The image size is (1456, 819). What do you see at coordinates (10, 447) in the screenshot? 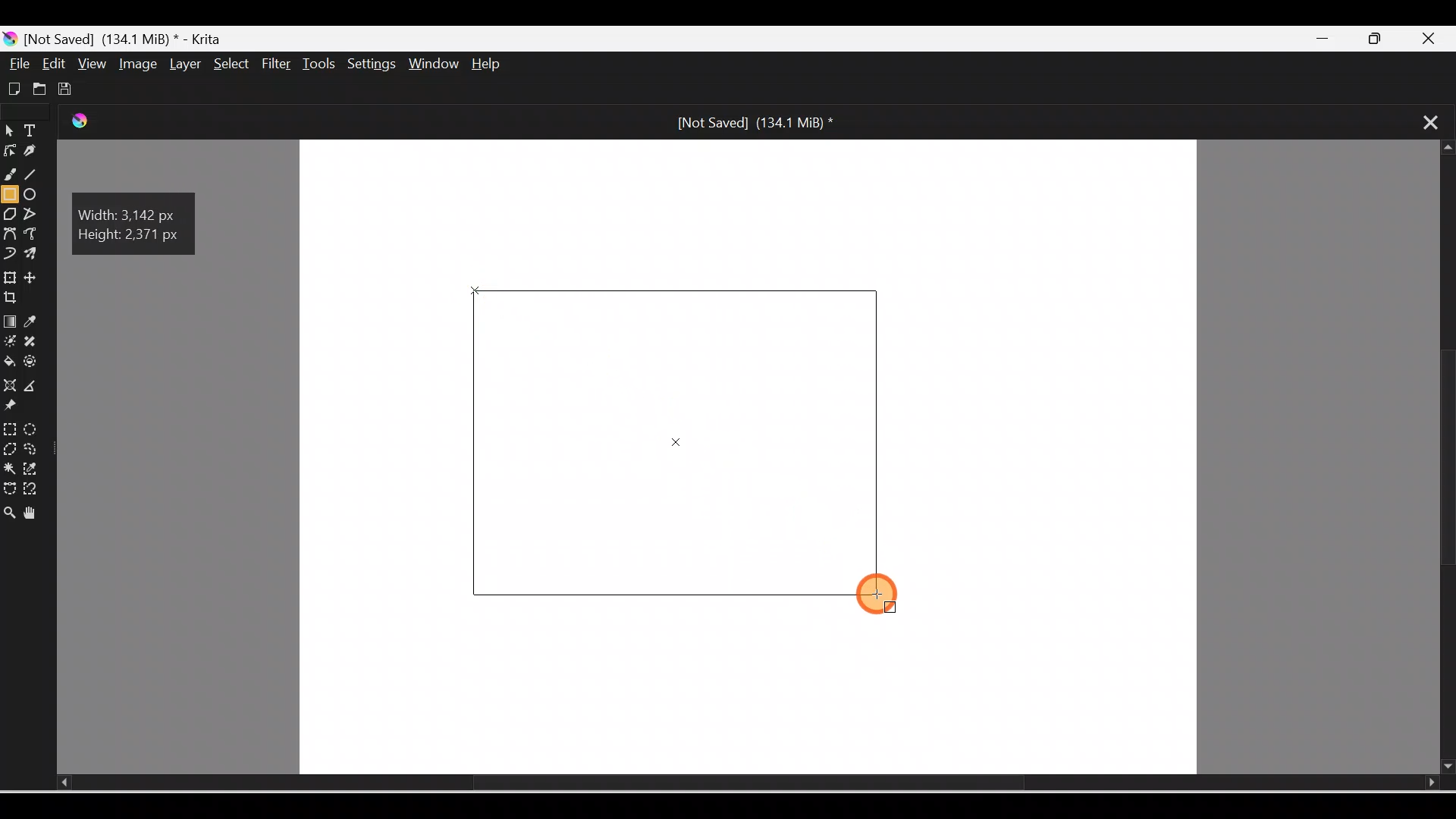
I see `Polygonal selection tool` at bounding box center [10, 447].